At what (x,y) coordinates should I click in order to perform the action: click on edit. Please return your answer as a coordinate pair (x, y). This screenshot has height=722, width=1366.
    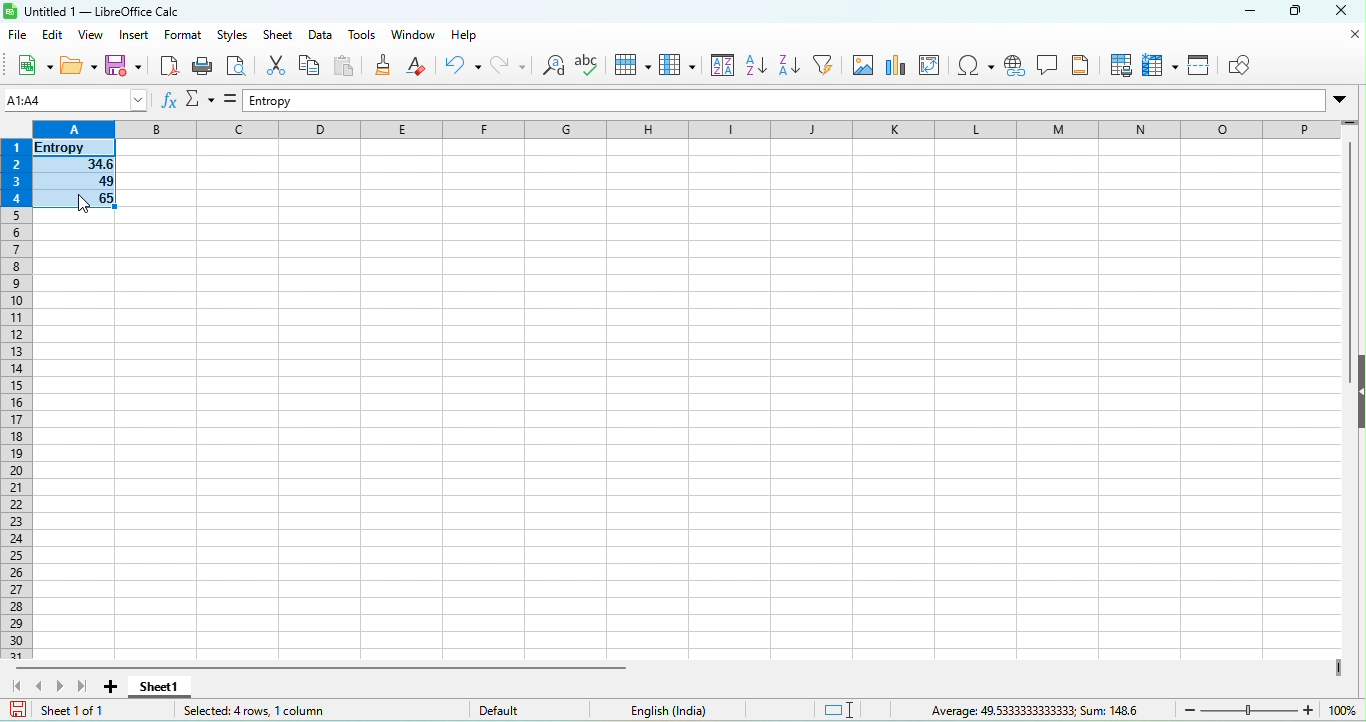
    Looking at the image, I should click on (54, 37).